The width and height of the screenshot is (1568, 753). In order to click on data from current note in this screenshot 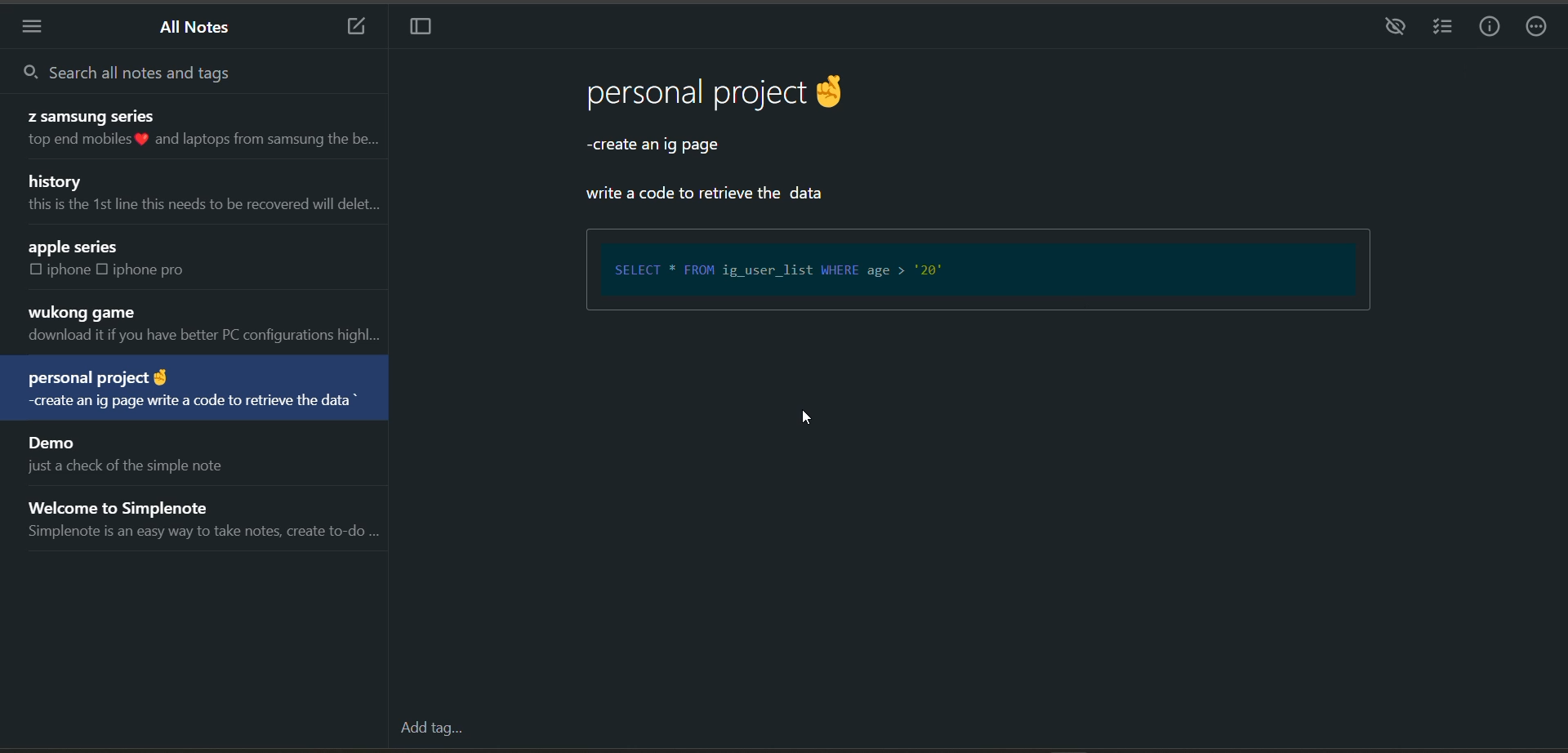, I will do `click(750, 137)`.